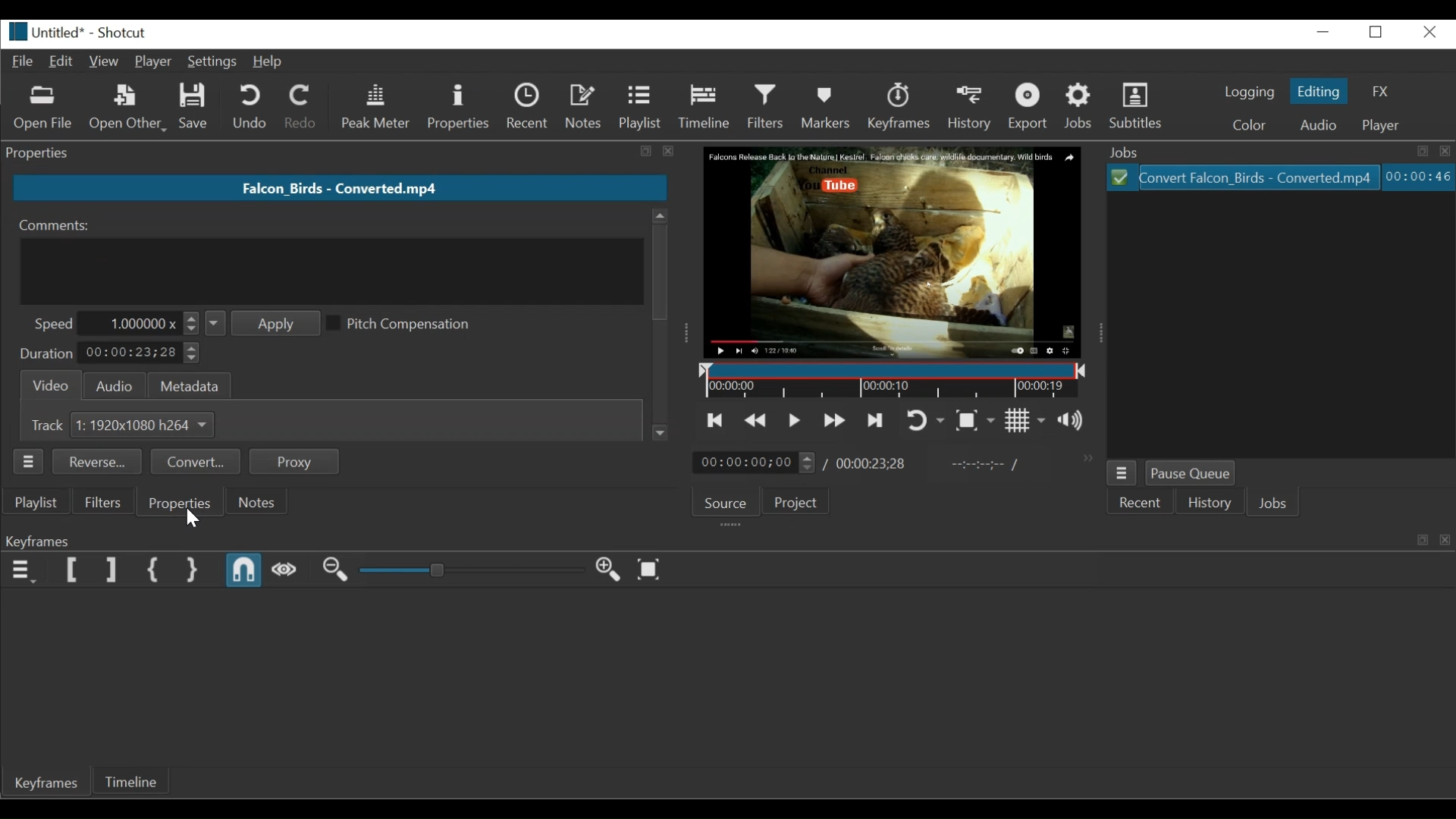  What do you see at coordinates (49, 384) in the screenshot?
I see `Video` at bounding box center [49, 384].